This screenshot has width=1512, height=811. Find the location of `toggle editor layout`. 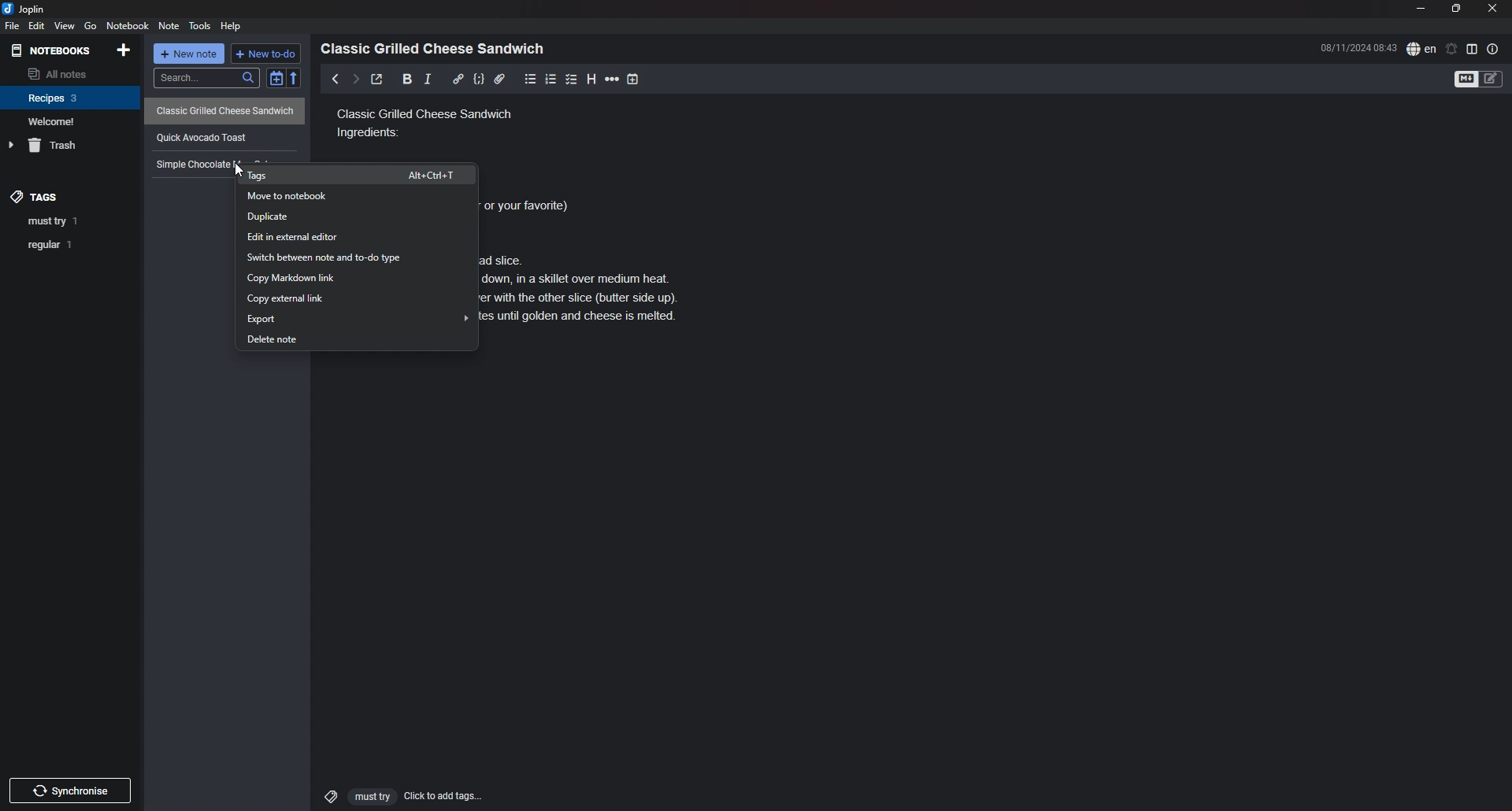

toggle editor layout is located at coordinates (1473, 49).